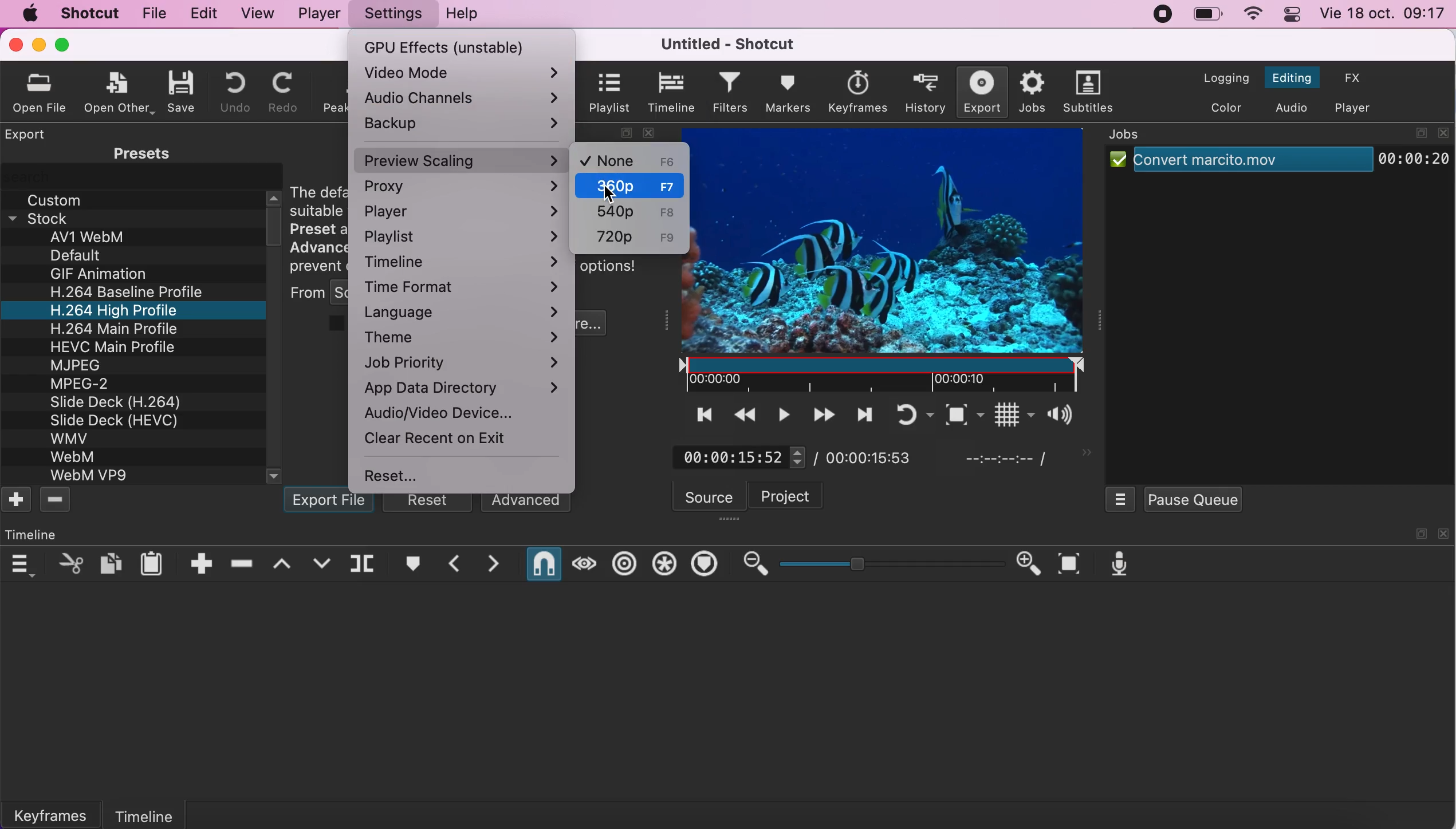 The height and width of the screenshot is (829, 1456). I want to click on Default, so click(80, 255).